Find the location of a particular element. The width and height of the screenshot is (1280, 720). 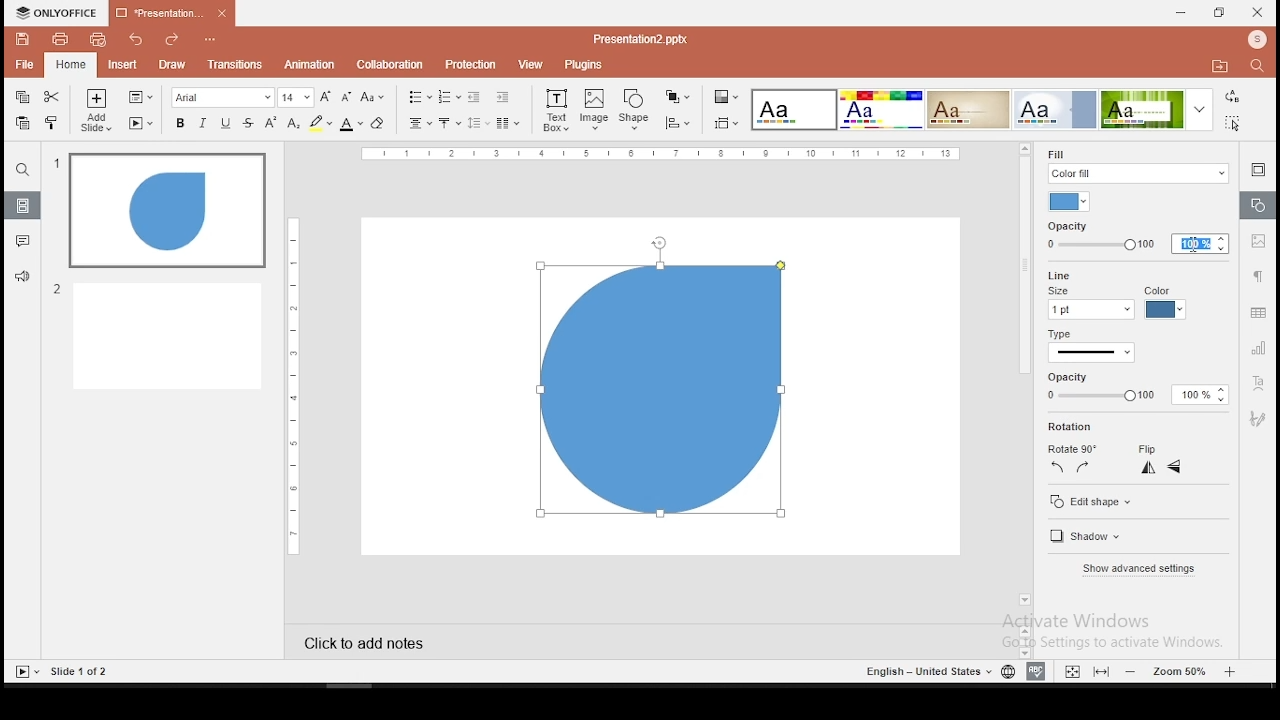

underline is located at coordinates (226, 123).